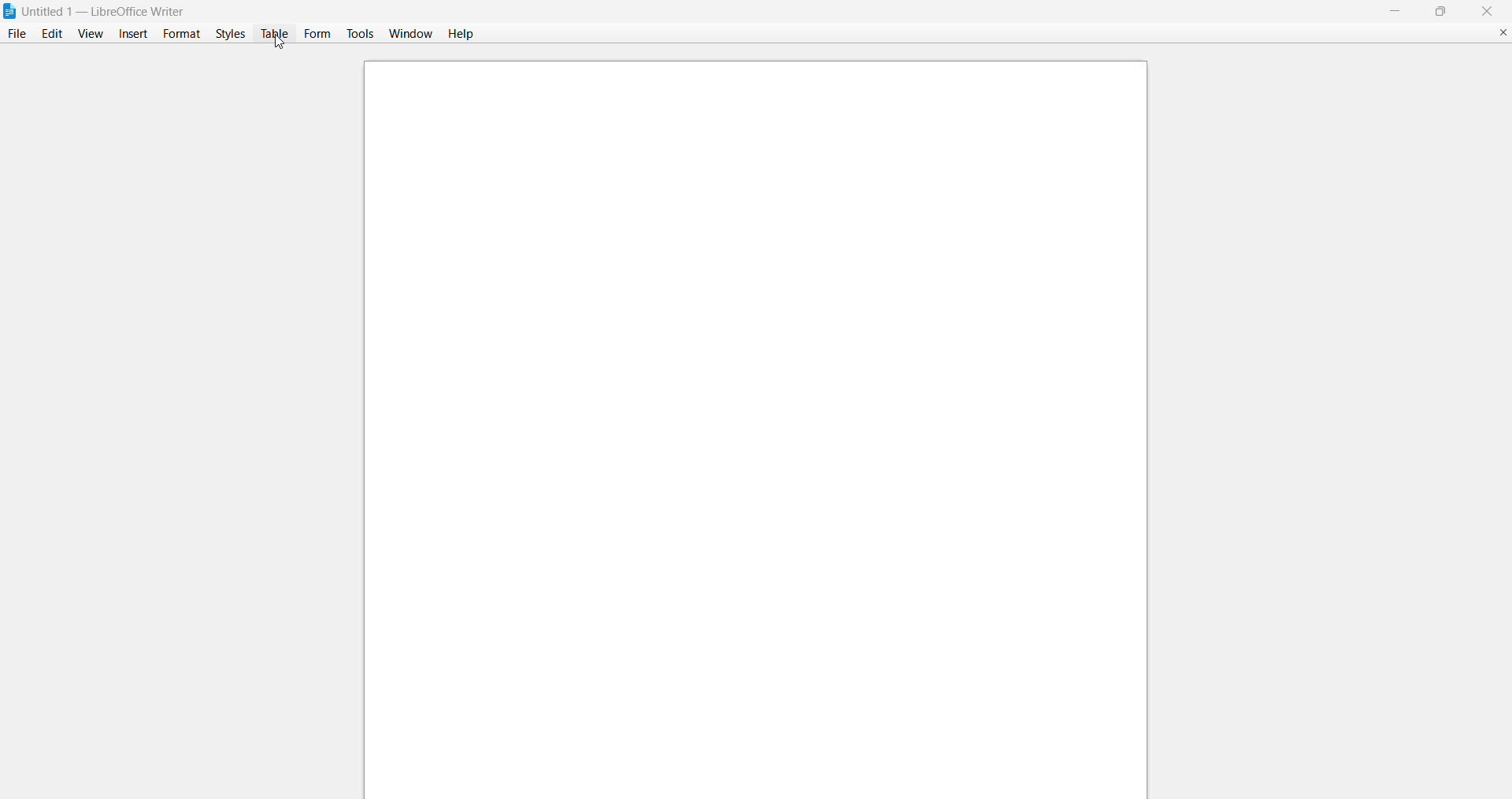 The width and height of the screenshot is (1512, 799). What do you see at coordinates (361, 34) in the screenshot?
I see `tools` at bounding box center [361, 34].